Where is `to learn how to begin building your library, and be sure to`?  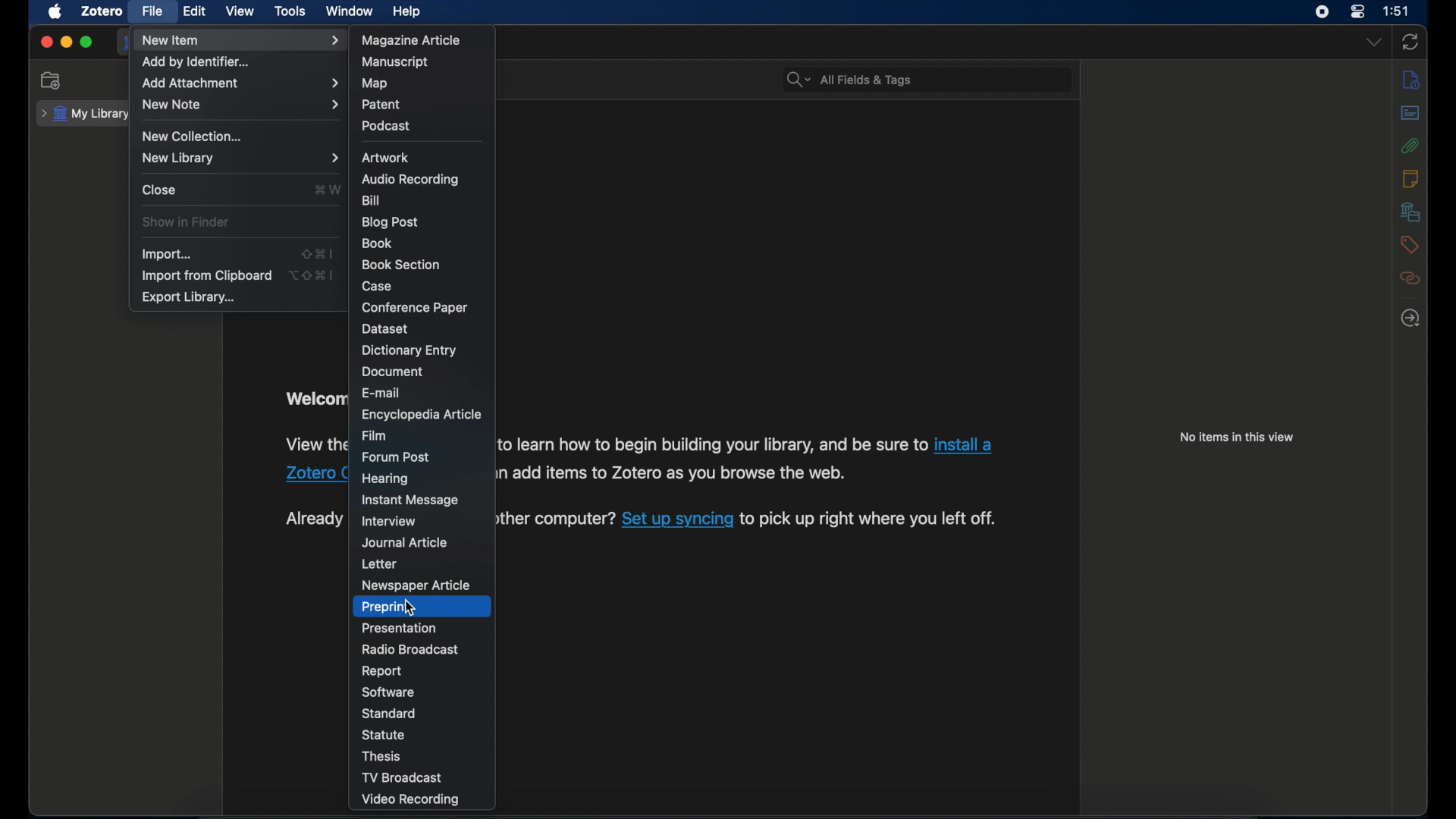 to learn how to begin building your library, and be sure to is located at coordinates (713, 444).